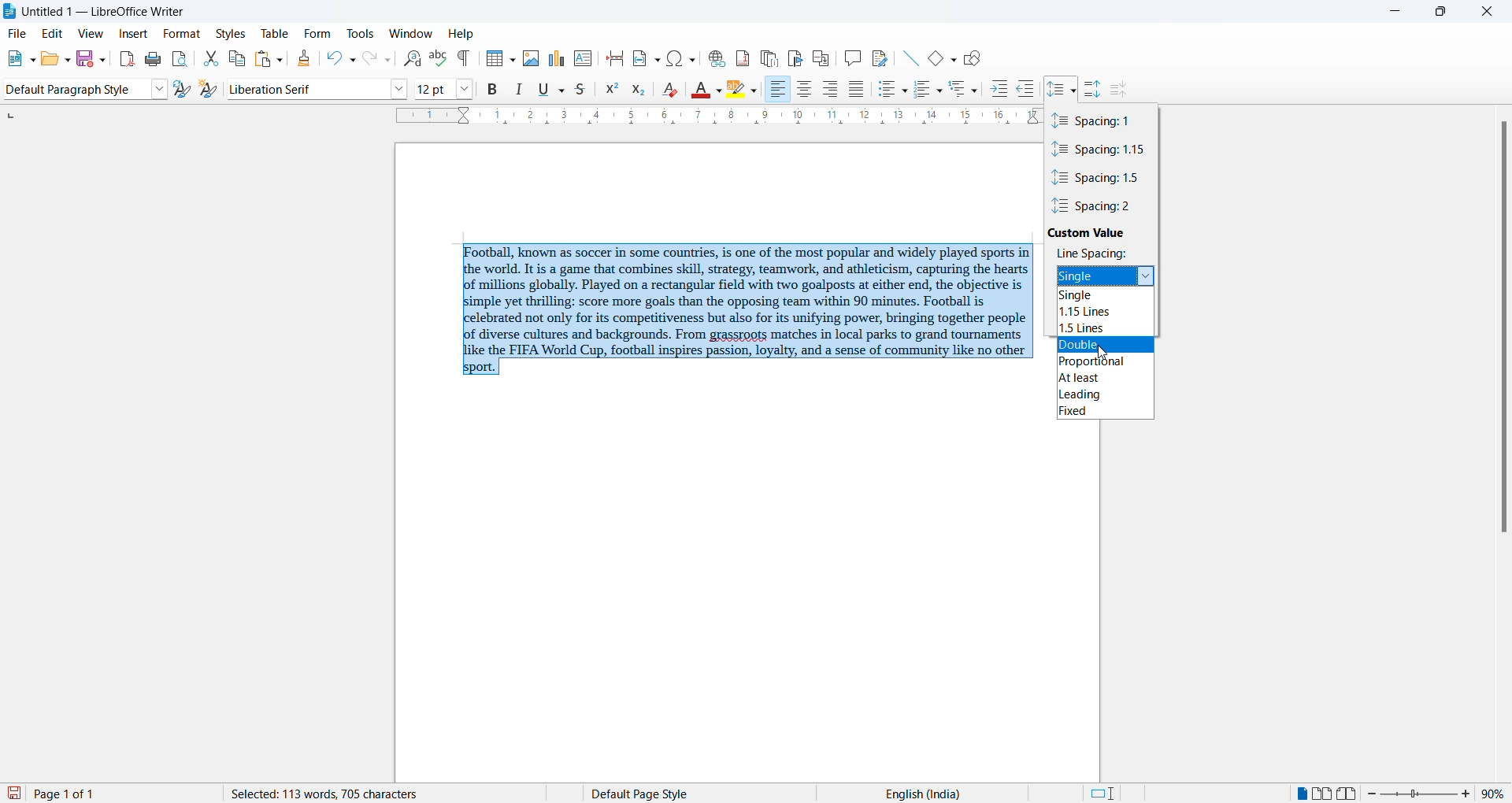 This screenshot has width=1512, height=803. I want to click on help, so click(461, 33).